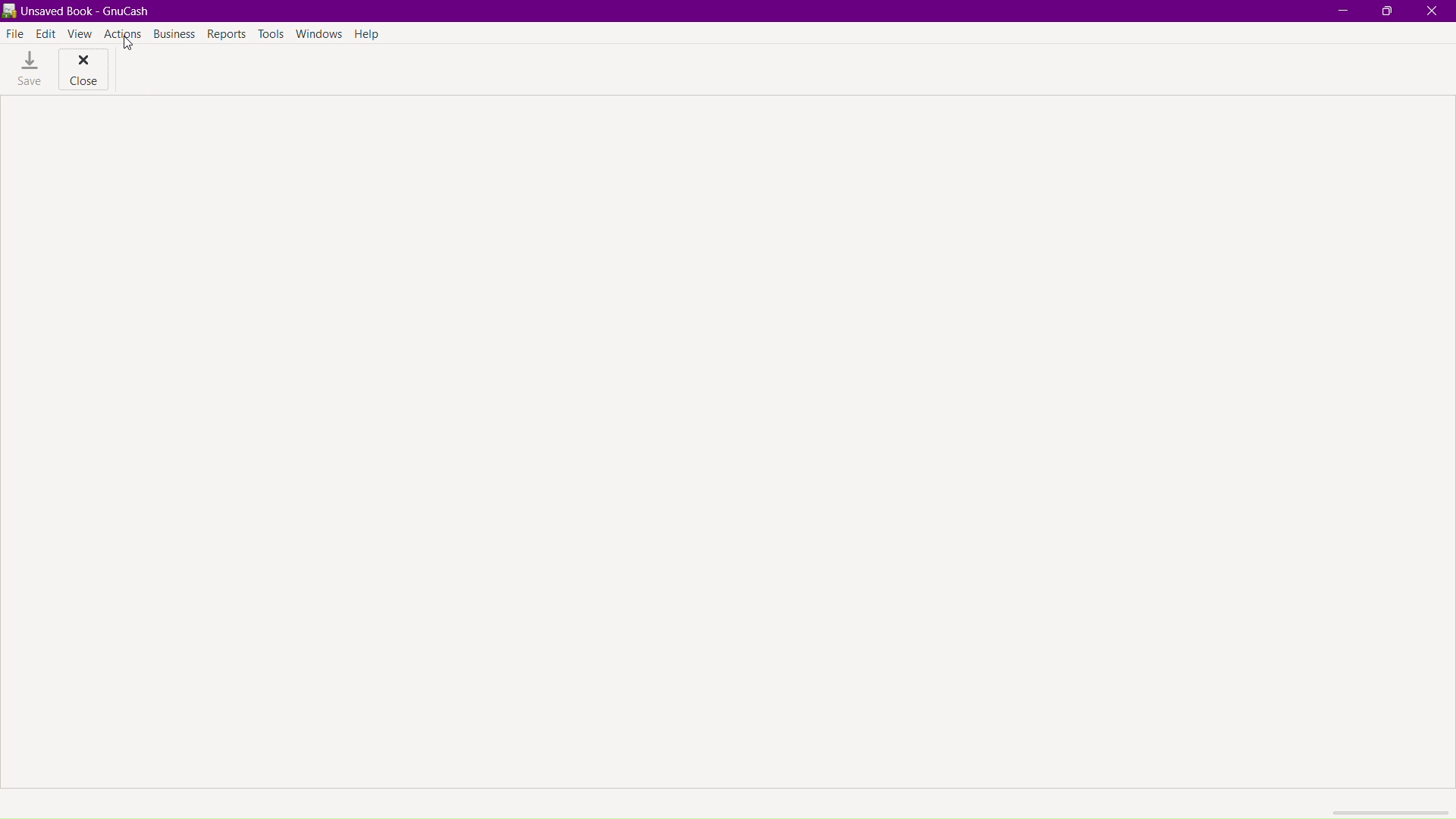  What do you see at coordinates (368, 32) in the screenshot?
I see `Help` at bounding box center [368, 32].